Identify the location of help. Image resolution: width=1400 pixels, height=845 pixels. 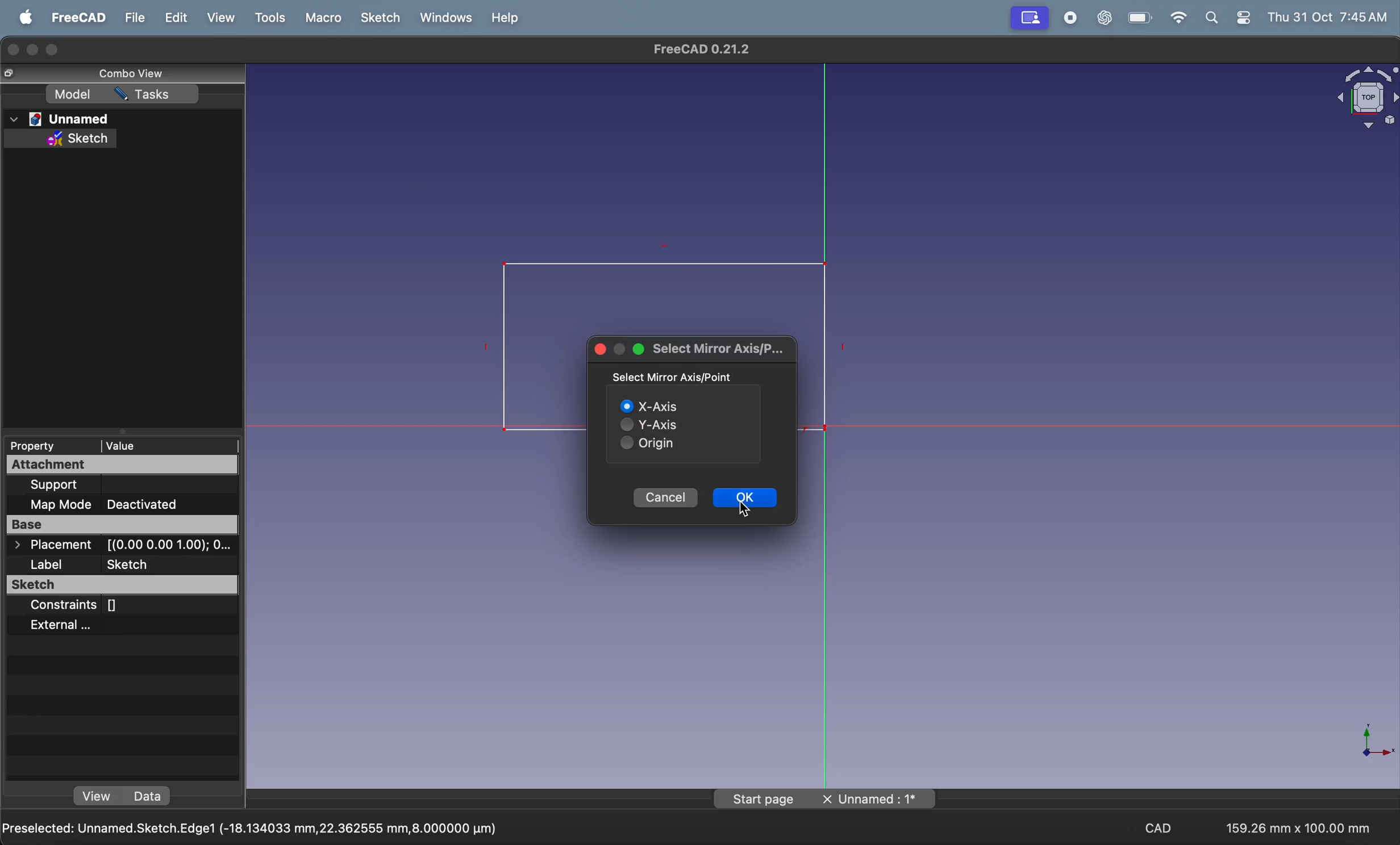
(508, 19).